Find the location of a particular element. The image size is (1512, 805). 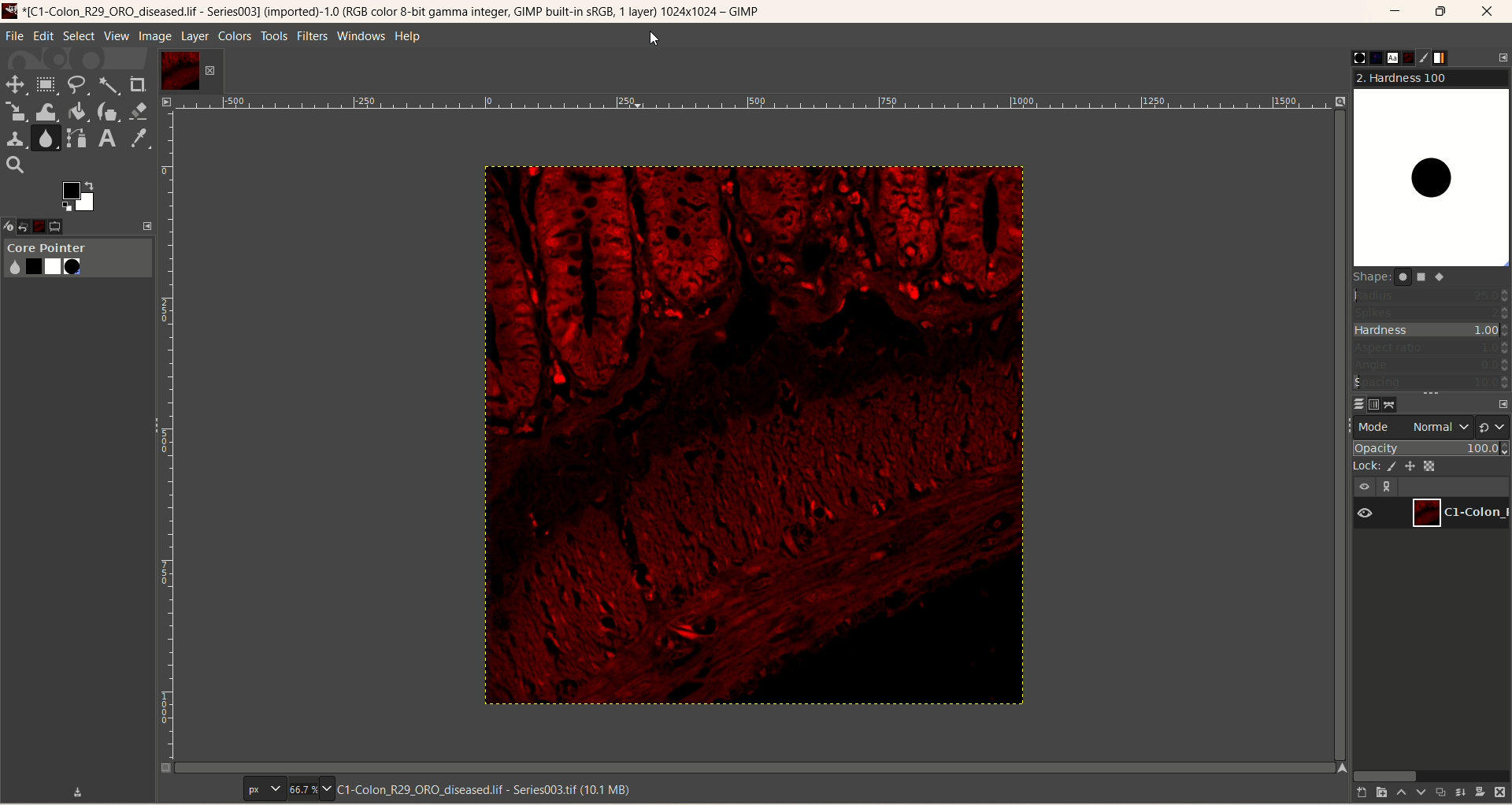

images is located at coordinates (50, 224).